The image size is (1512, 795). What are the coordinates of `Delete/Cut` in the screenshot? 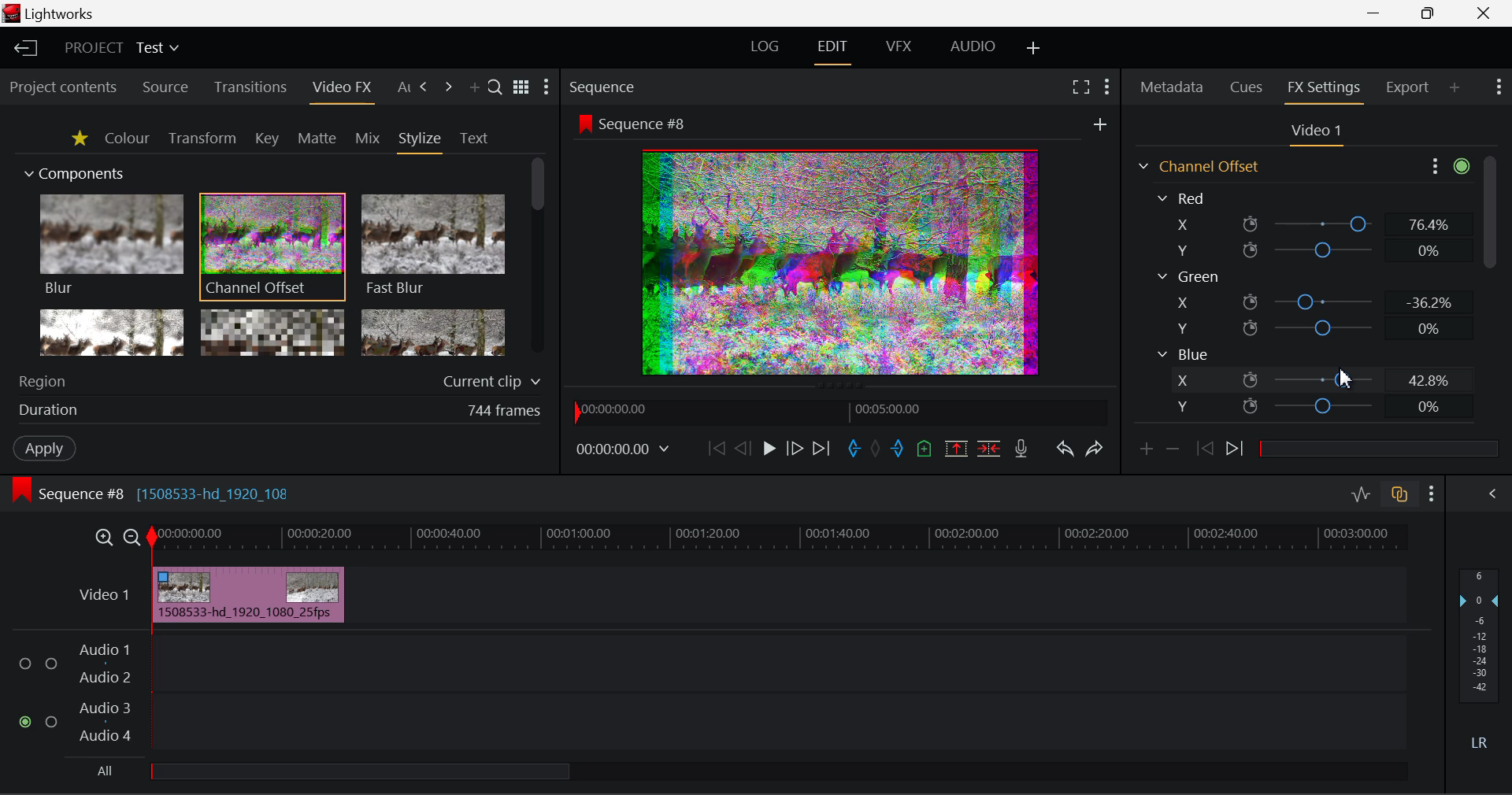 It's located at (991, 449).